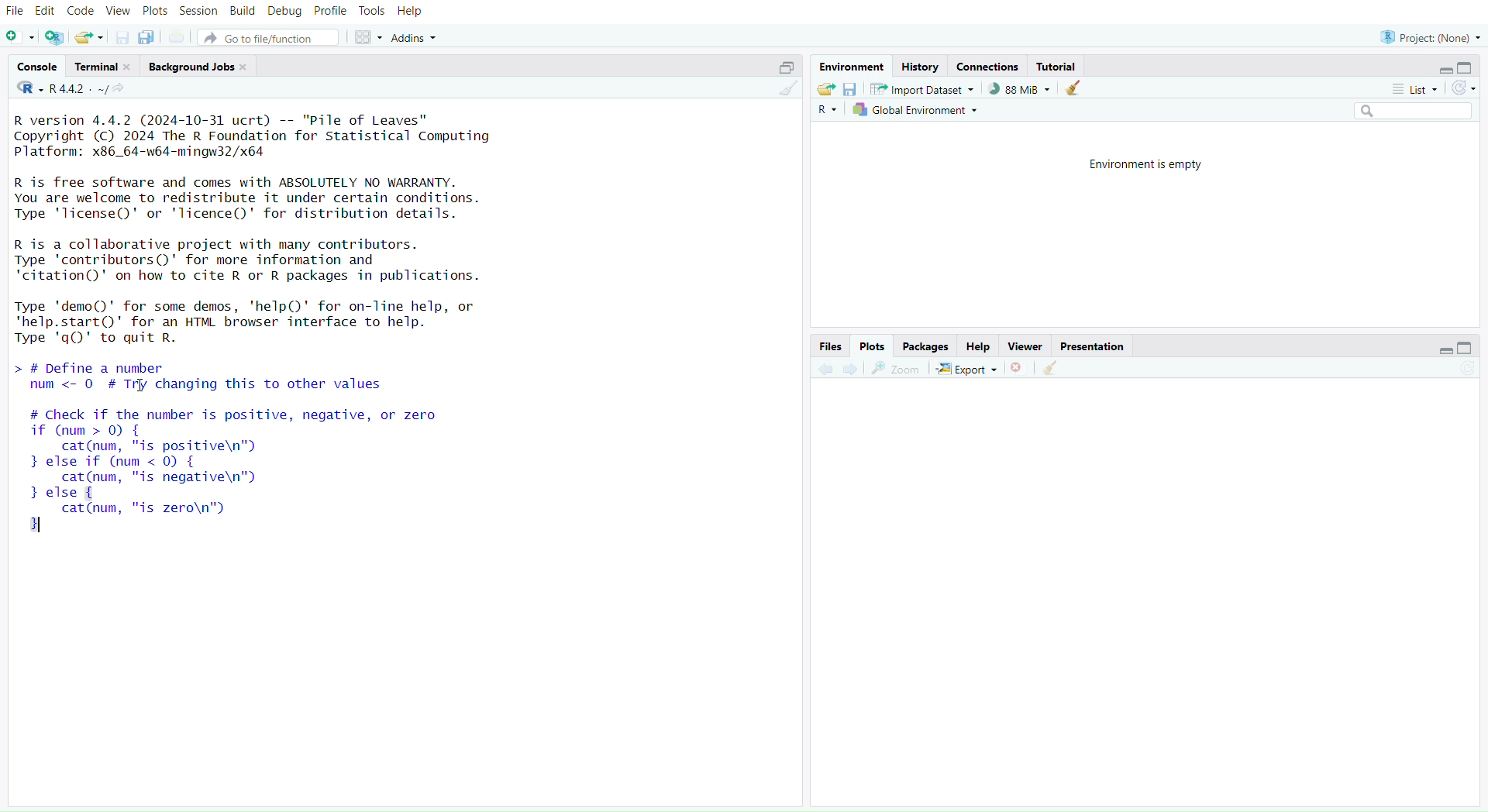  Describe the element at coordinates (15, 12) in the screenshot. I see `file` at that location.